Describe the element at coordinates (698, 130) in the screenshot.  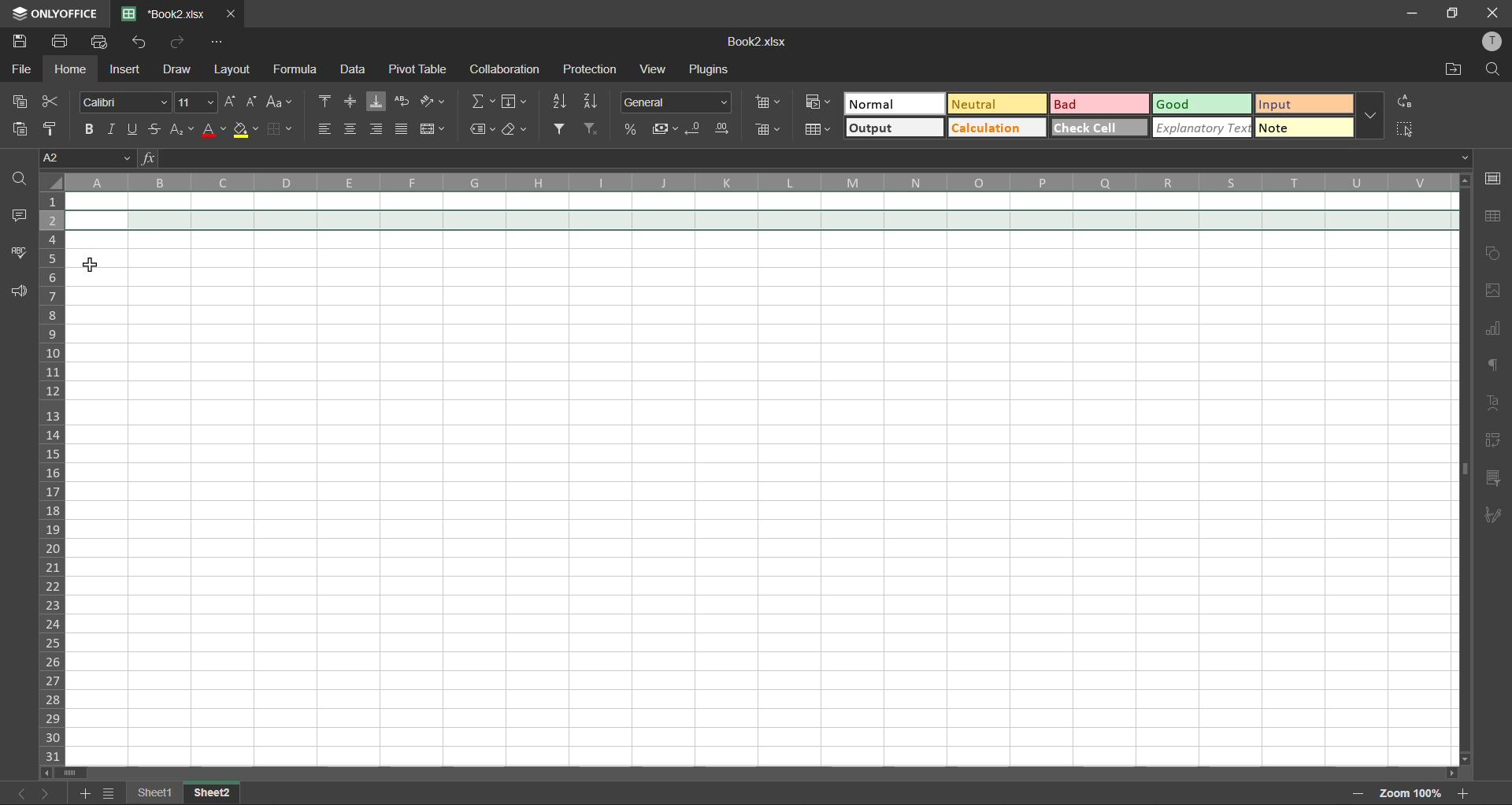
I see `decrease decimal` at that location.